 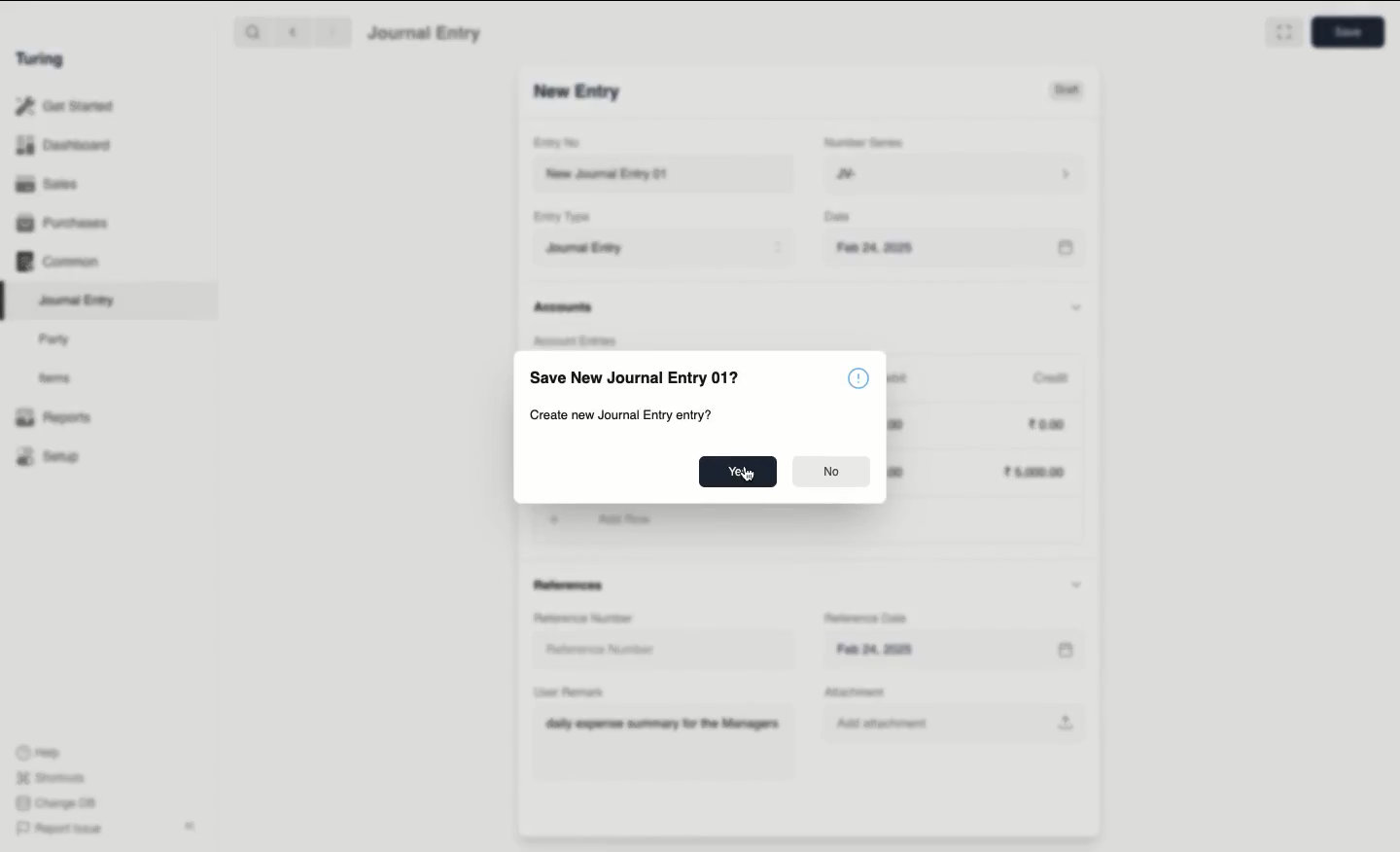 I want to click on Get Started, so click(x=66, y=107).